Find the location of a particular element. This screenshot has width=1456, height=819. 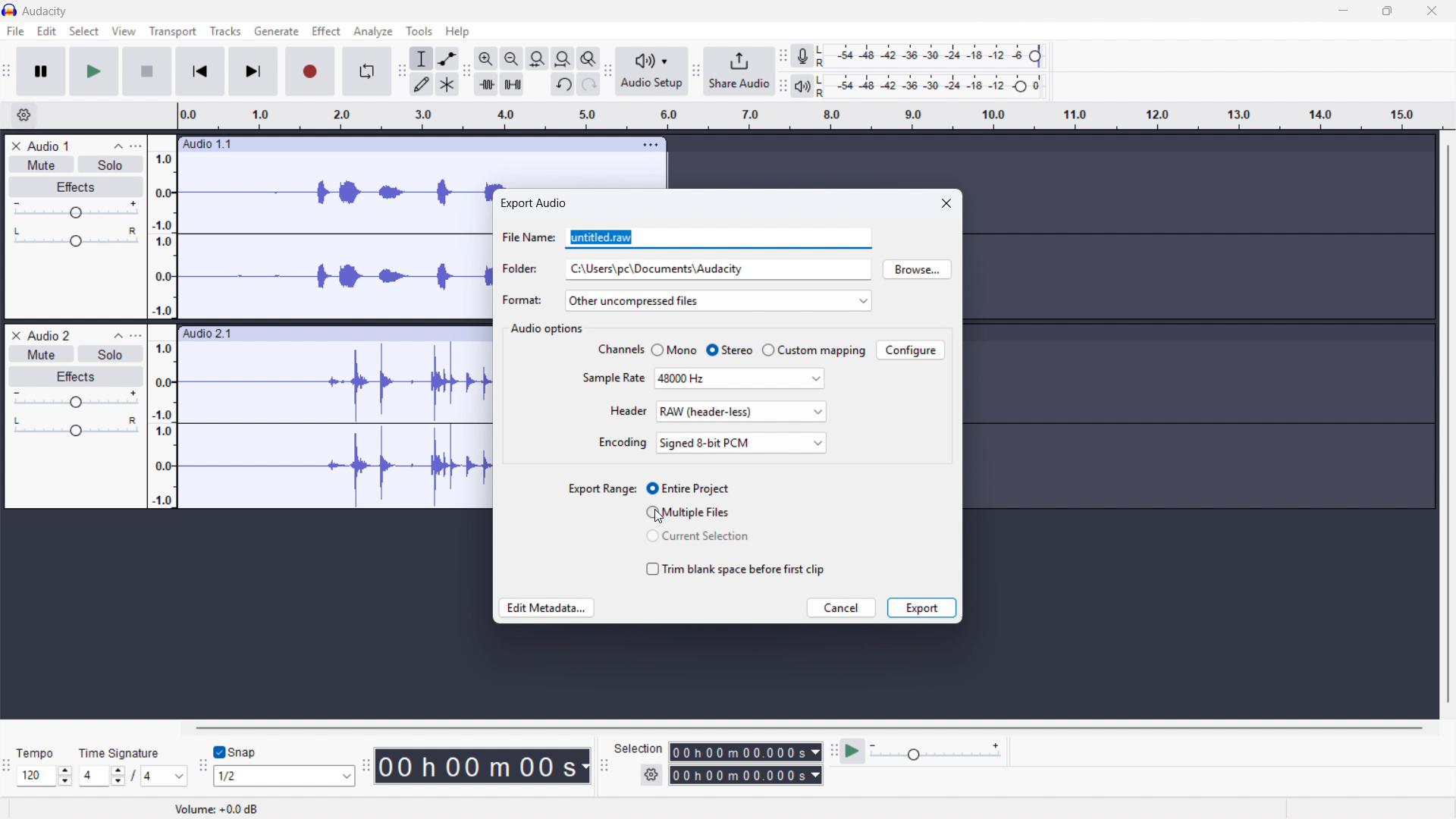

Audio setup toolbar is located at coordinates (608, 71).